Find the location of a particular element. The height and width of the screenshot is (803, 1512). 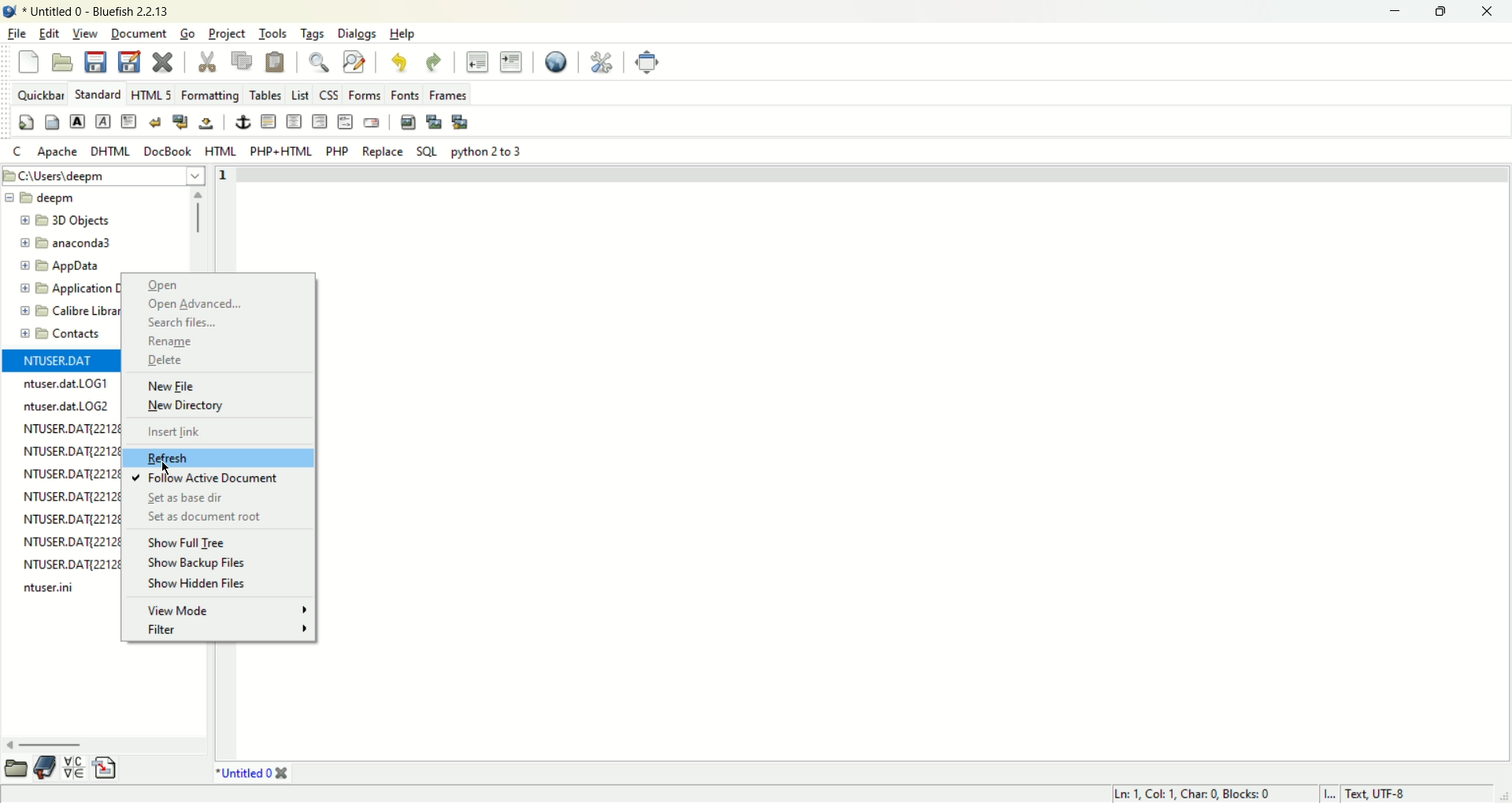

file is located at coordinates (15, 32).